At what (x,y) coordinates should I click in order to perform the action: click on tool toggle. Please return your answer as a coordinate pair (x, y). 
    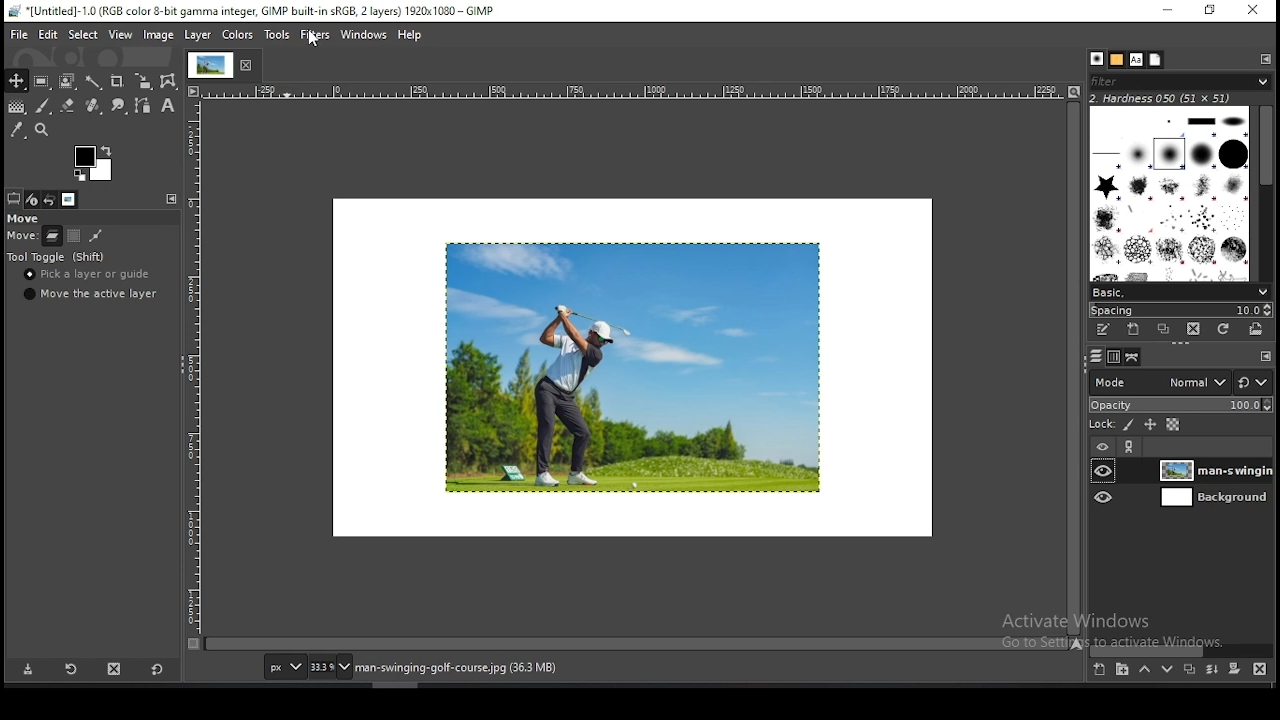
    Looking at the image, I should click on (60, 257).